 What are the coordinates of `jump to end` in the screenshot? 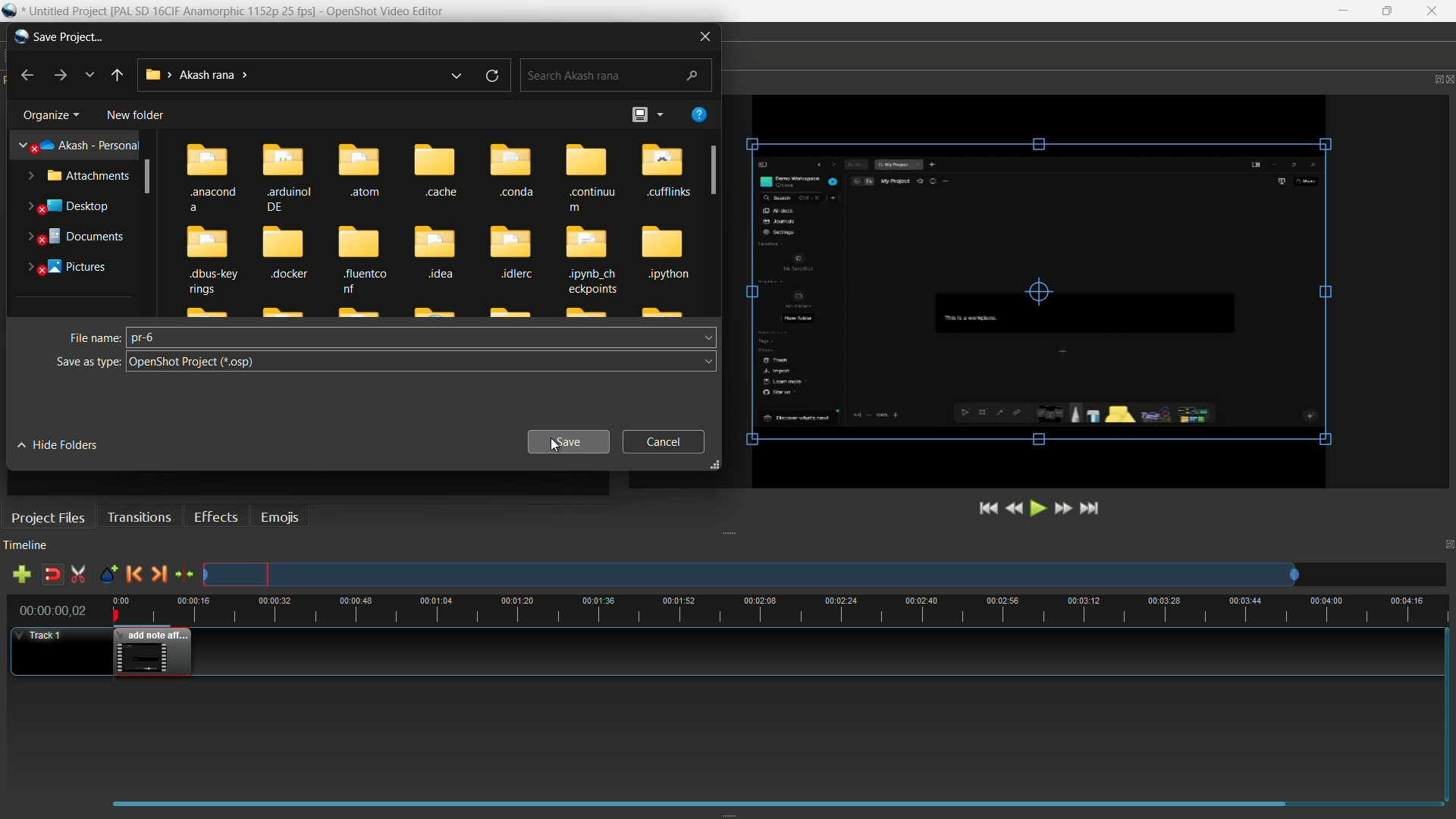 It's located at (1090, 507).